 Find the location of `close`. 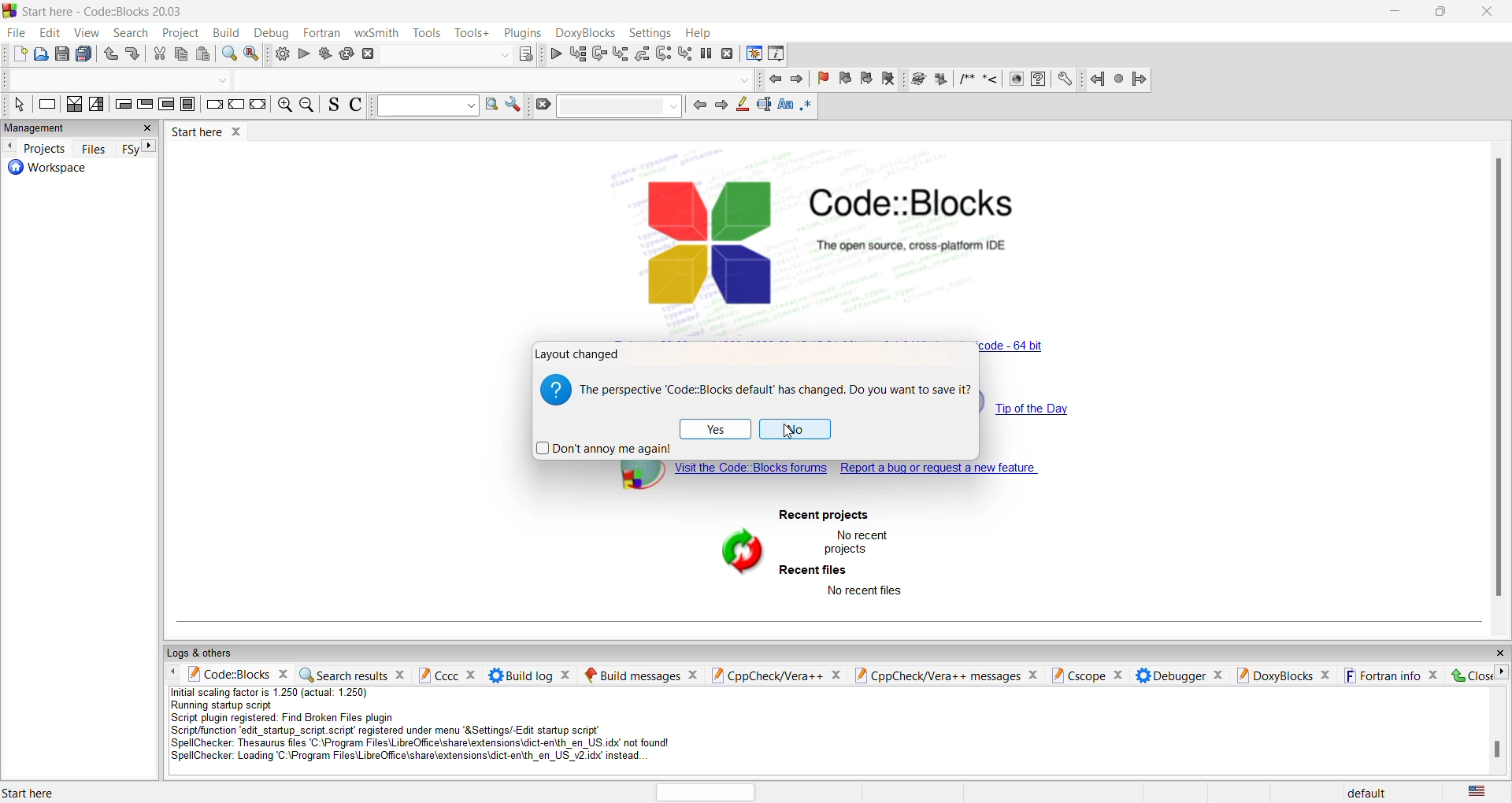

close is located at coordinates (691, 674).